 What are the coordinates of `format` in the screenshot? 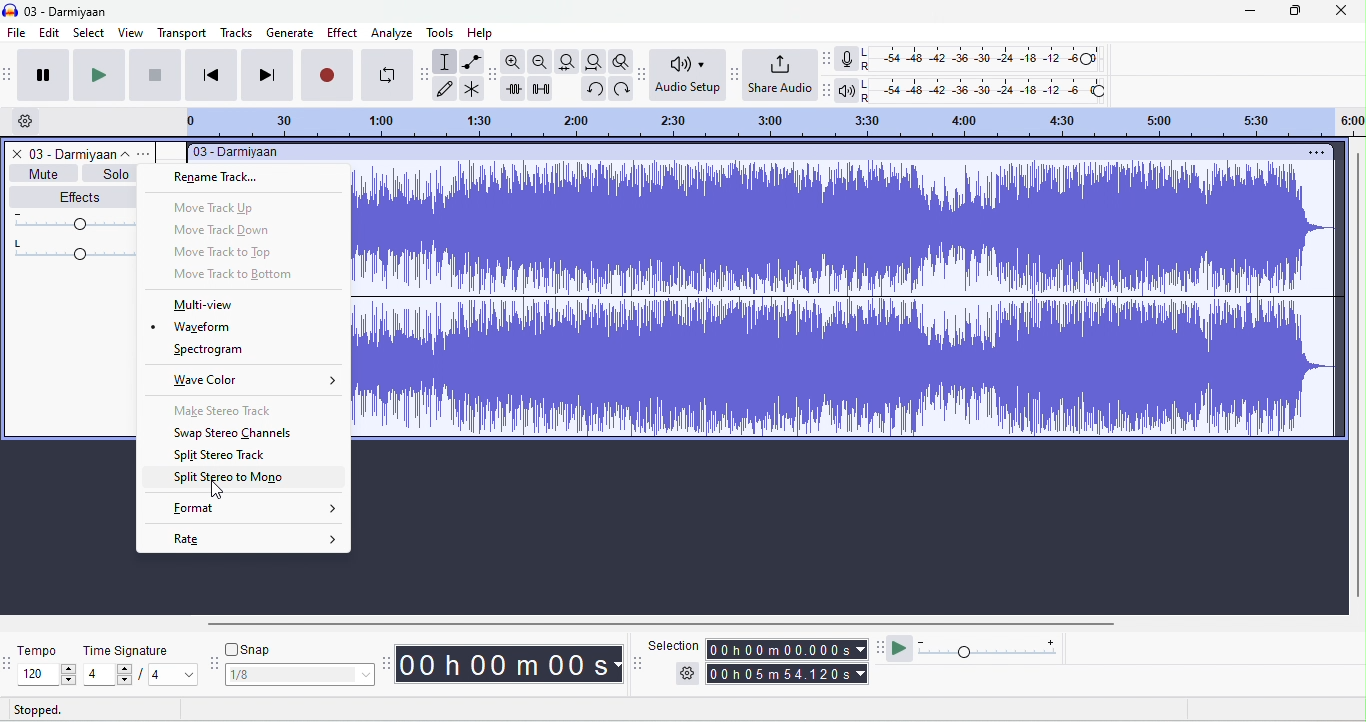 It's located at (254, 507).